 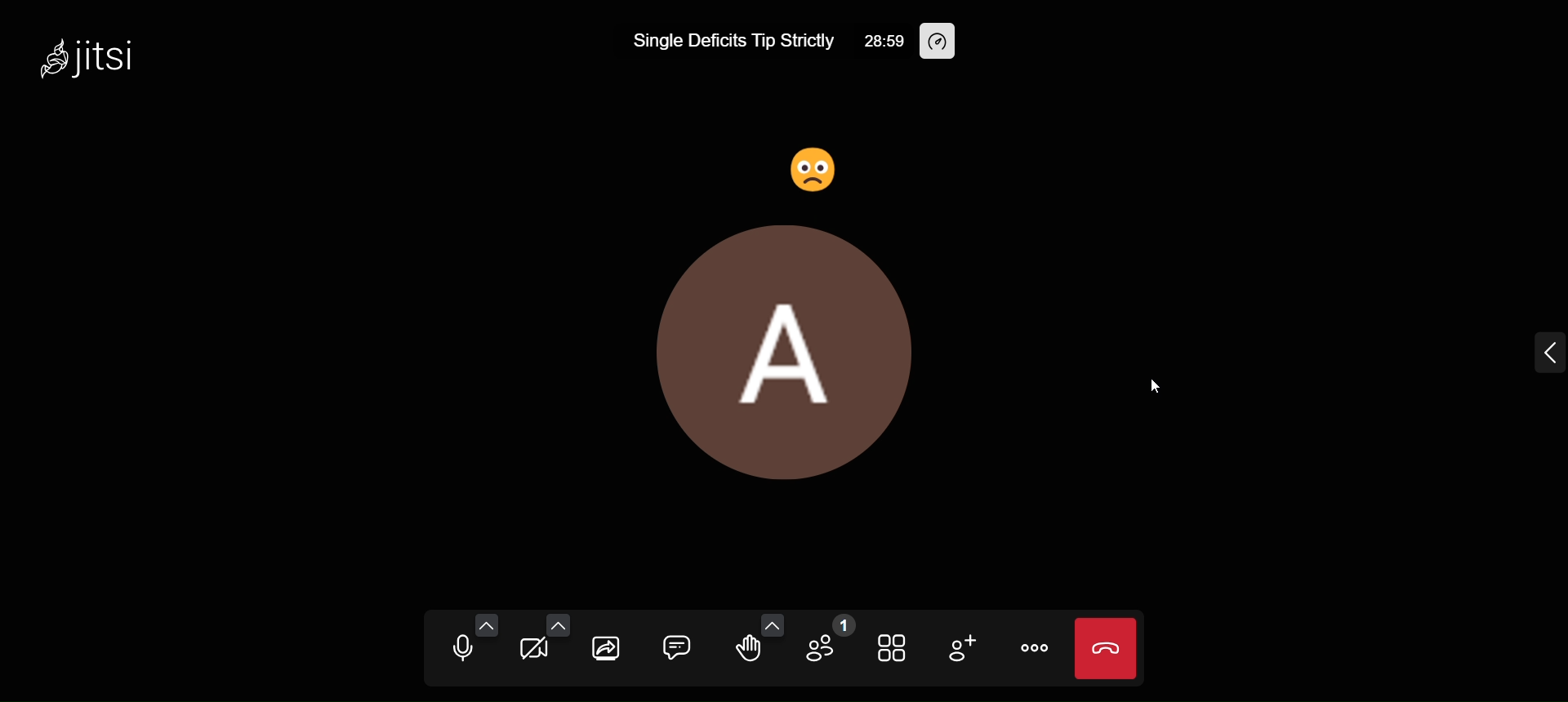 What do you see at coordinates (818, 162) in the screenshot?
I see `Boo Reaction` at bounding box center [818, 162].